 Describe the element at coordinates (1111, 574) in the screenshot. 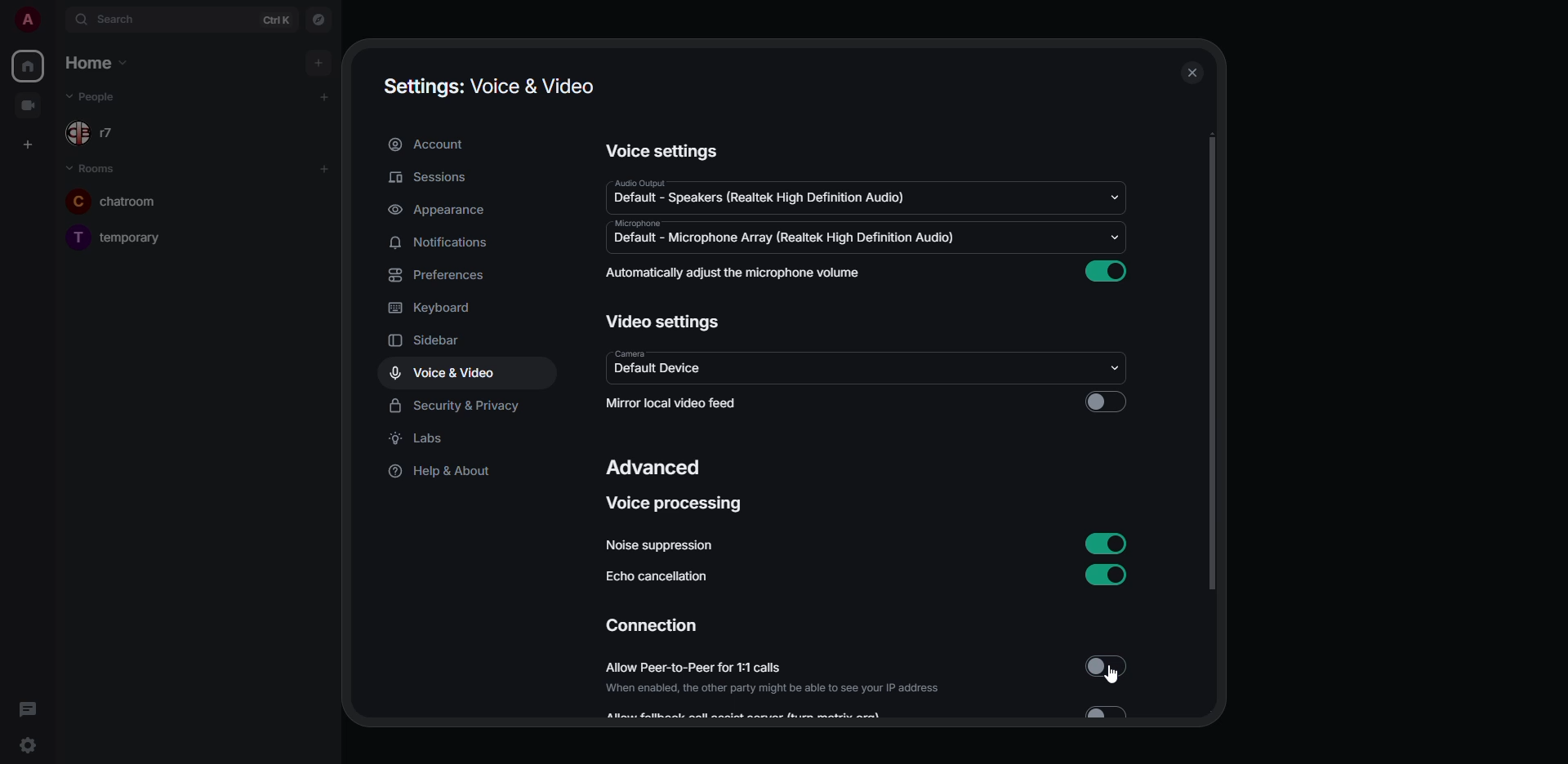

I see `enabled` at that location.